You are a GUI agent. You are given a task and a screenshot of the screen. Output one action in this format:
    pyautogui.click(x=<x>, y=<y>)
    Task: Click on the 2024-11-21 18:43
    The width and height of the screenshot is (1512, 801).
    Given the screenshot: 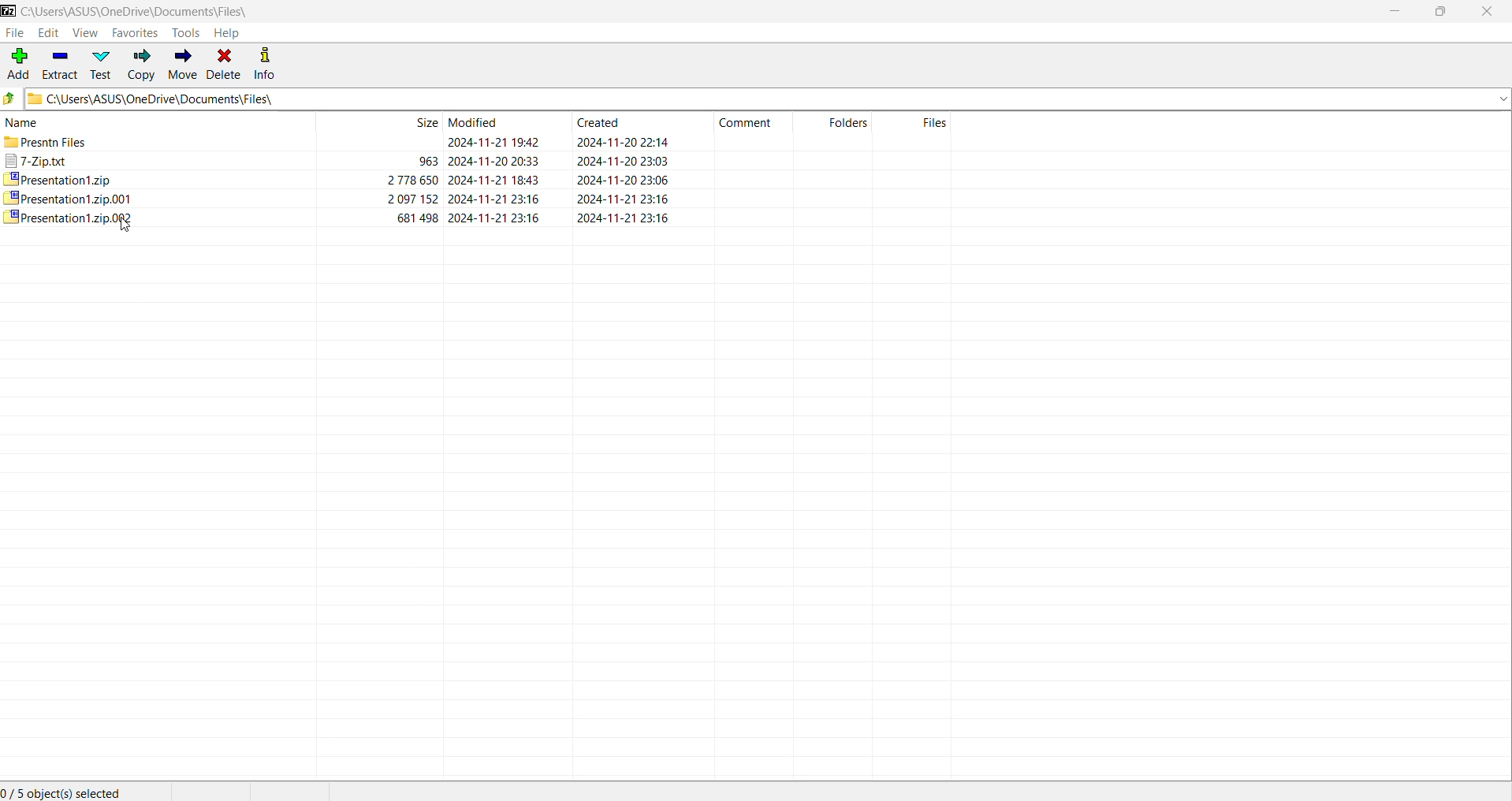 What is the action you would take?
    pyautogui.click(x=498, y=179)
    